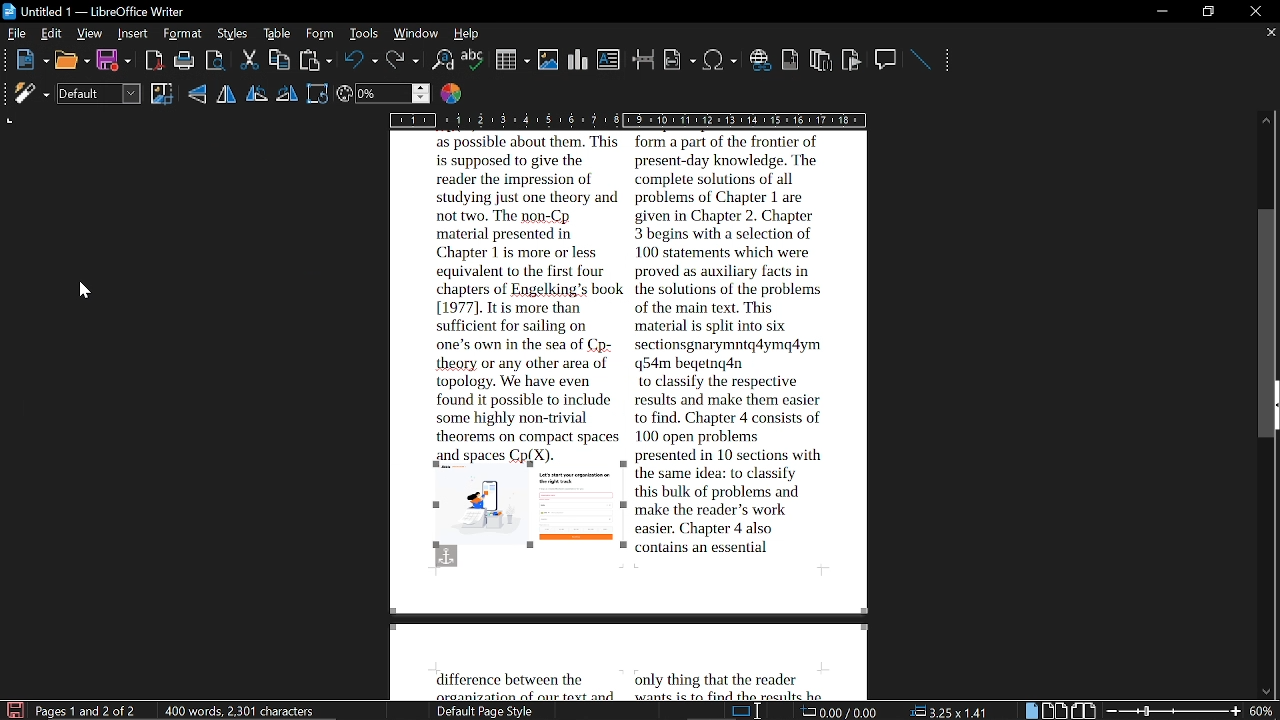 This screenshot has height=720, width=1280. What do you see at coordinates (1085, 711) in the screenshot?
I see `book view` at bounding box center [1085, 711].